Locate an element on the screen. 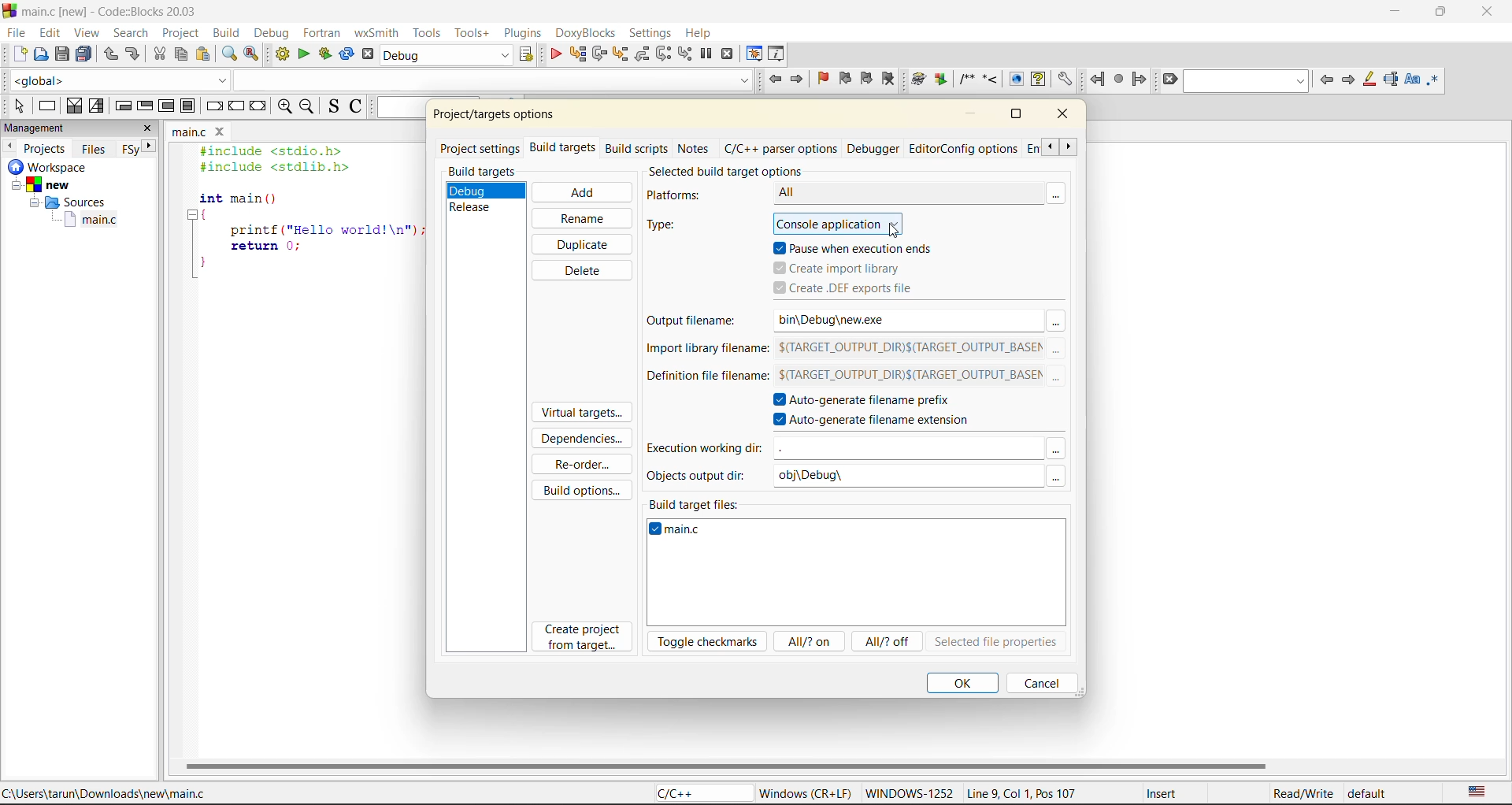 The image size is (1512, 805). view is located at coordinates (87, 33).